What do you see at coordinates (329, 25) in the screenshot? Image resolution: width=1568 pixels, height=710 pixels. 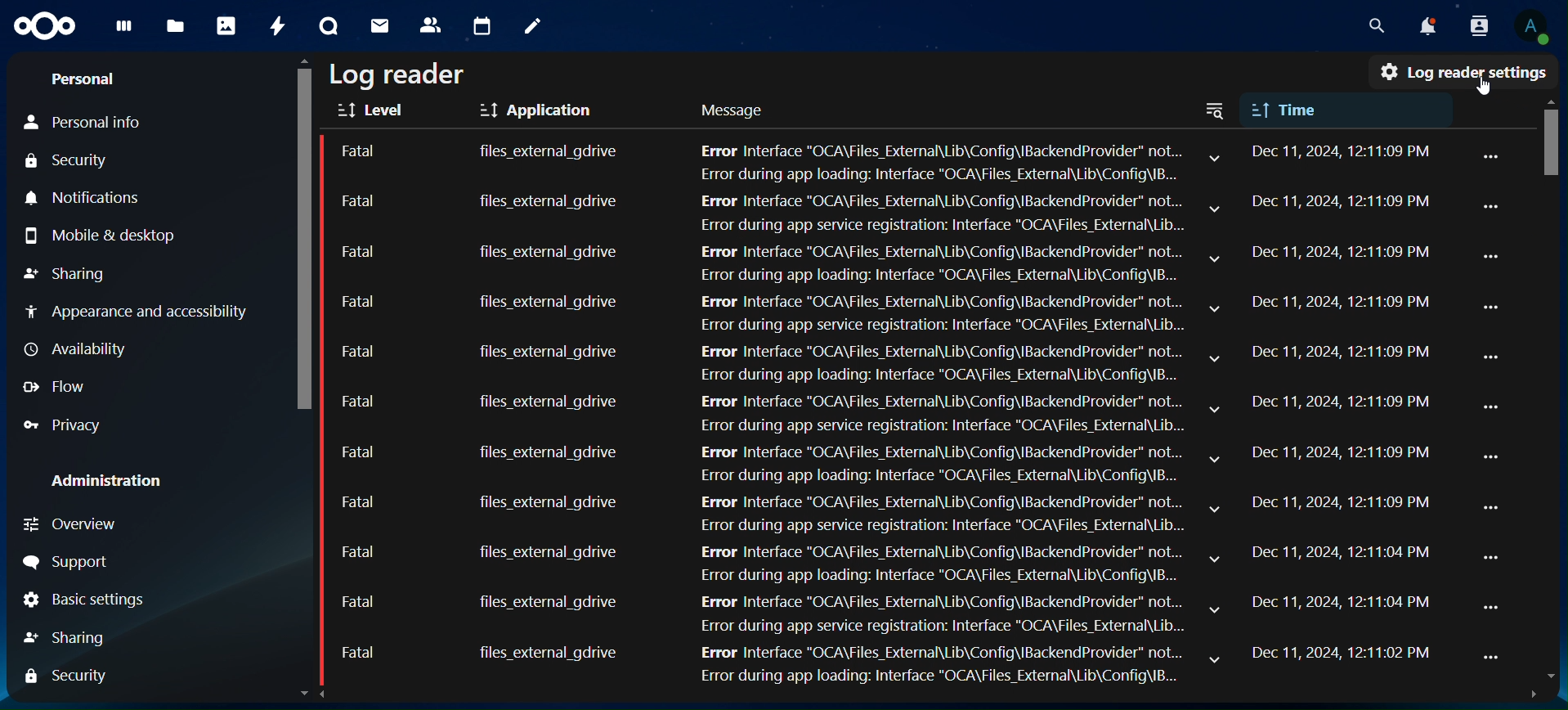 I see `talk` at bounding box center [329, 25].